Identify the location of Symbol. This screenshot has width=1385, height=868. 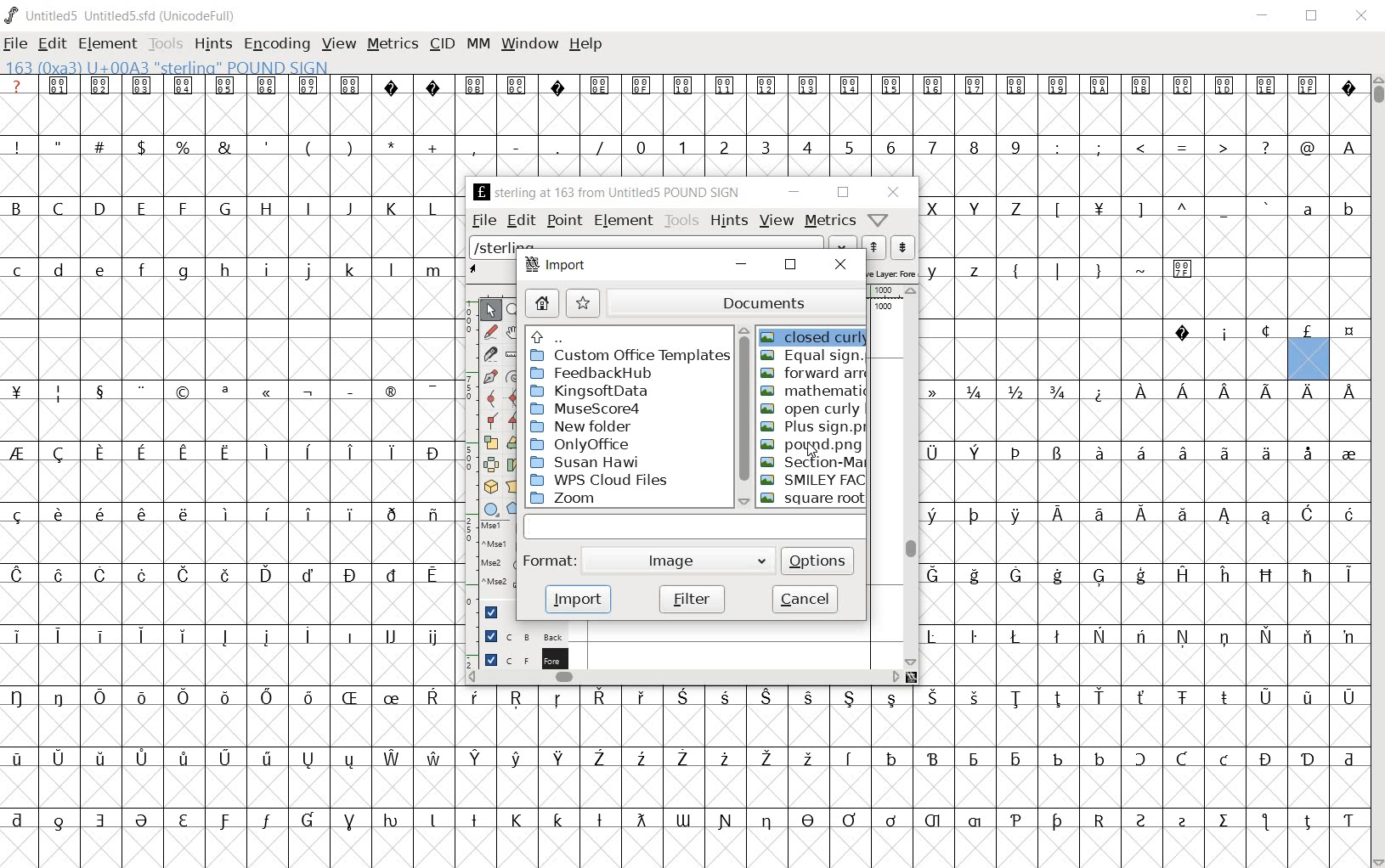
(1225, 454).